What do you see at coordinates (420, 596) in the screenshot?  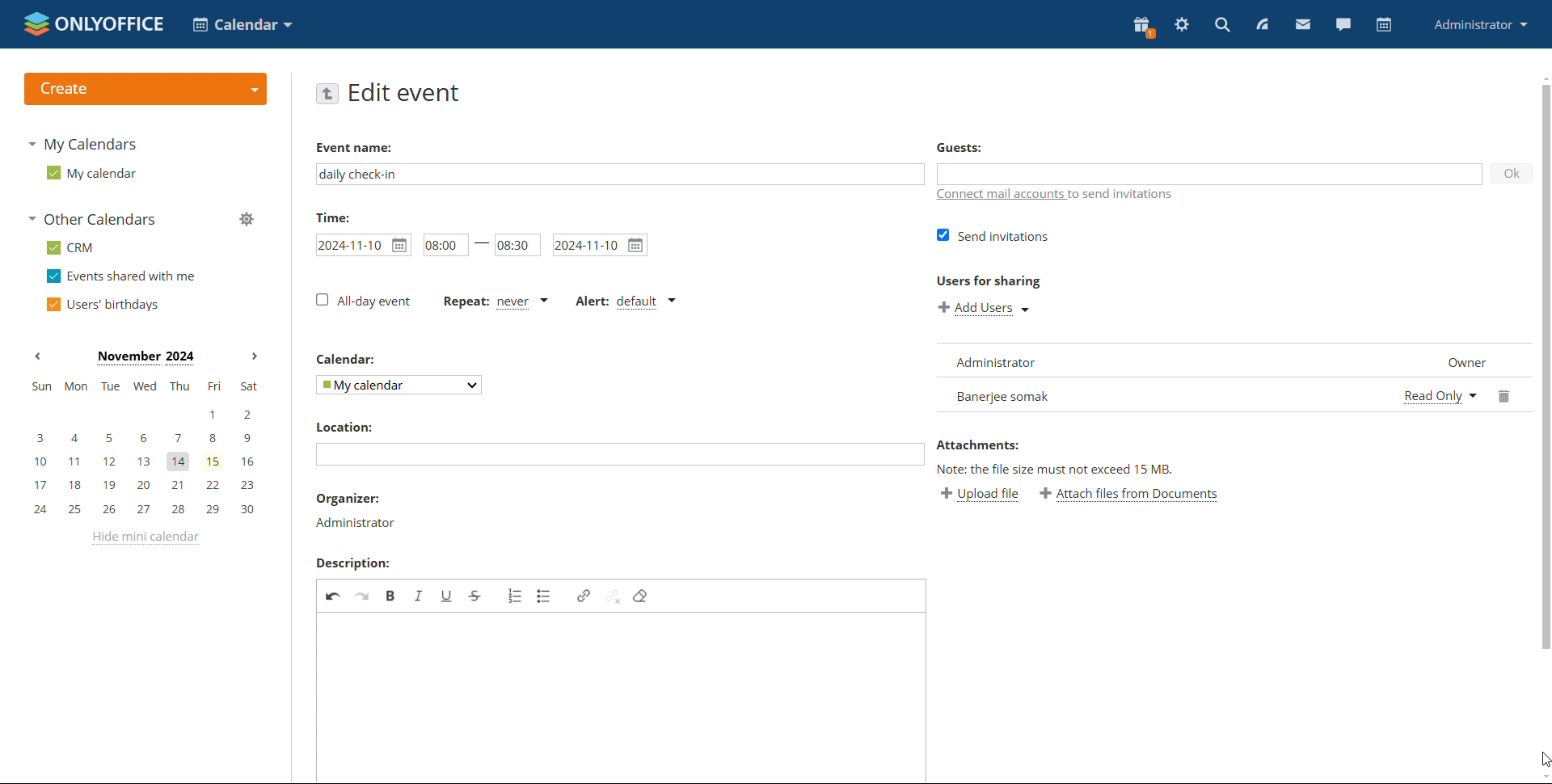 I see `italic` at bounding box center [420, 596].